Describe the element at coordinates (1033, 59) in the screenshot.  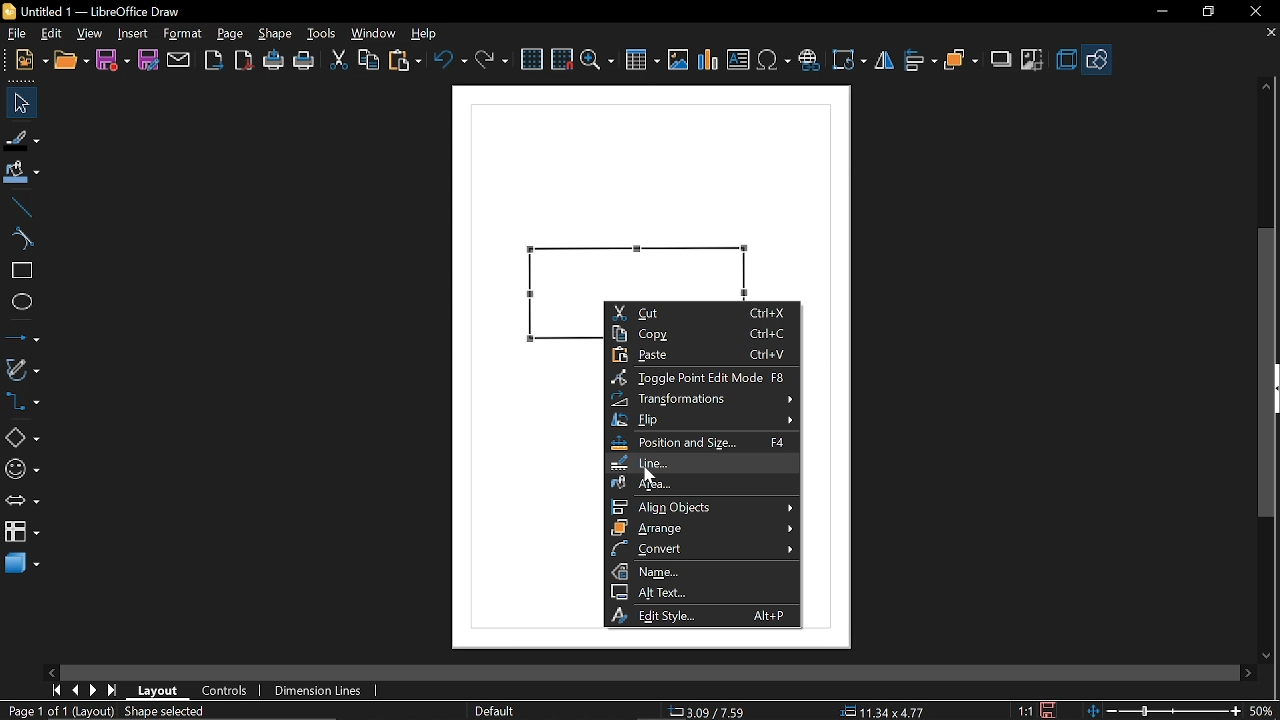
I see `crop` at that location.